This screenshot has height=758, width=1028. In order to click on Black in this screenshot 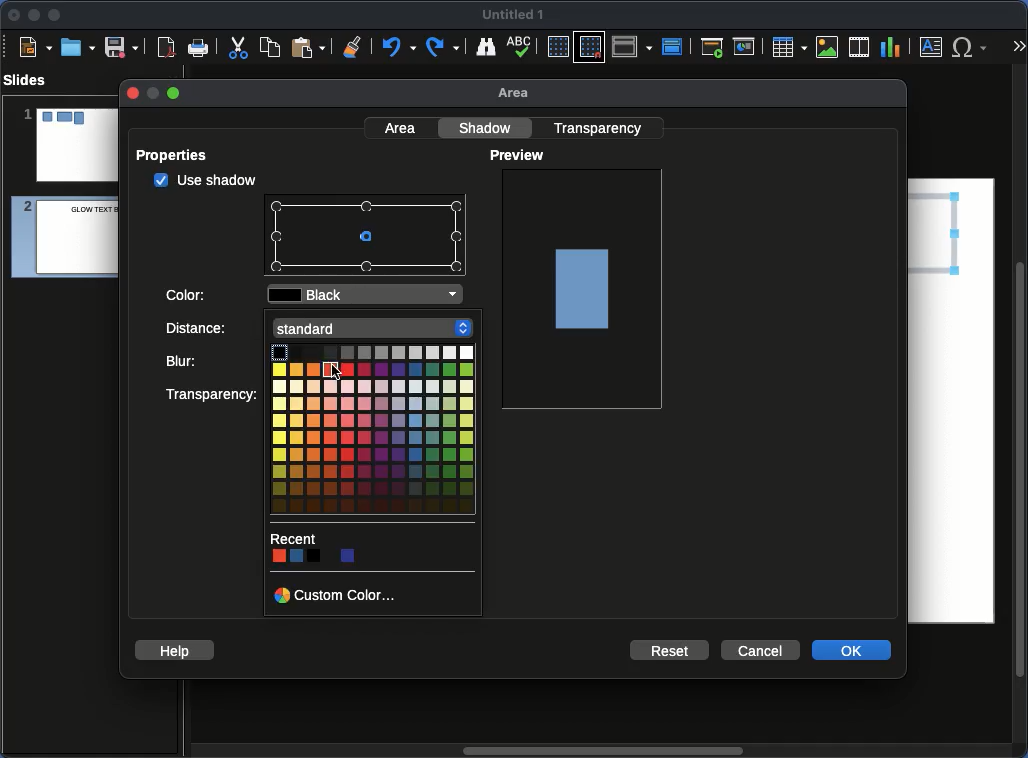, I will do `click(369, 296)`.